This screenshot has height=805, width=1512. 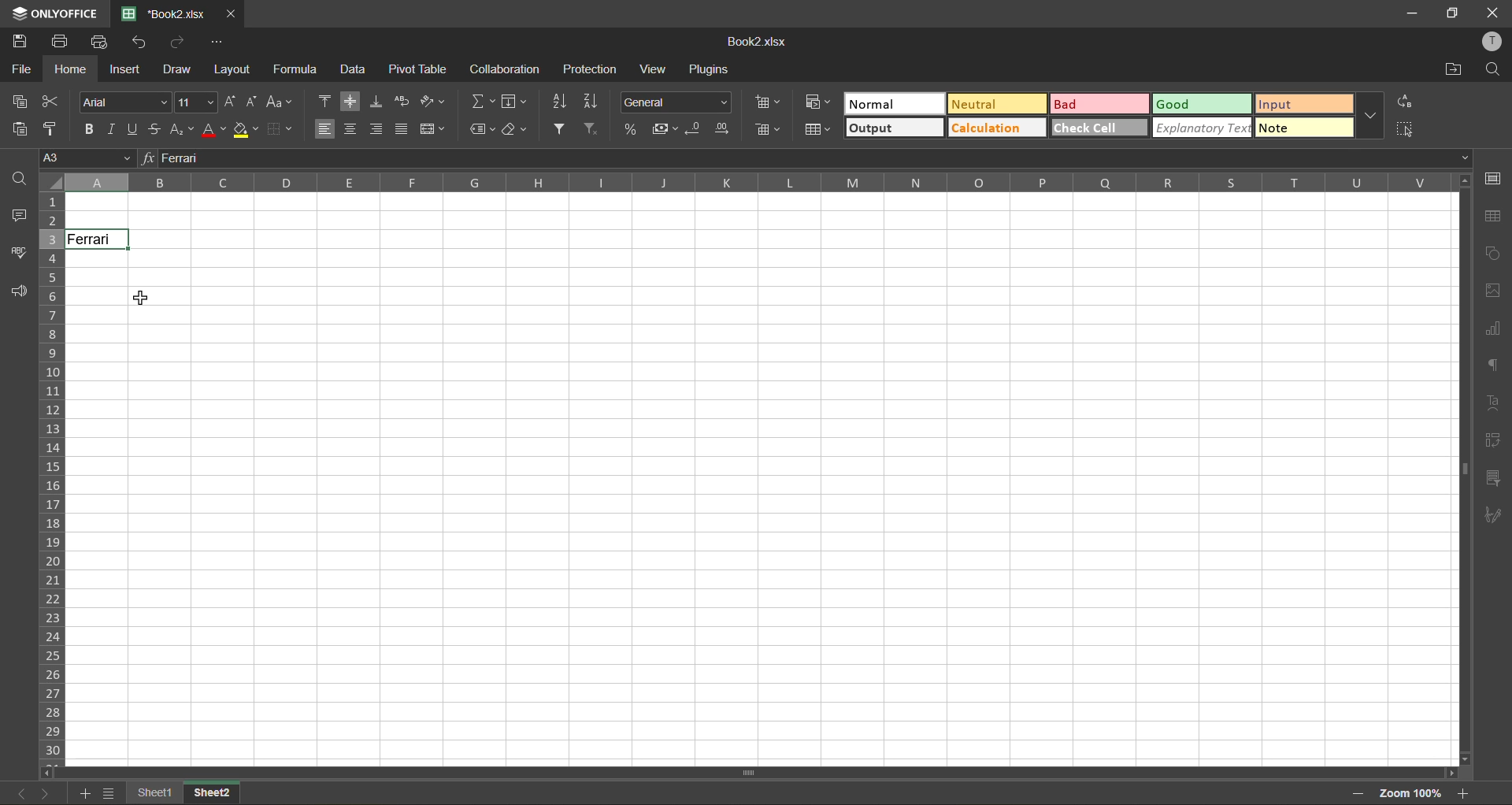 I want to click on scroll up, so click(x=1462, y=182).